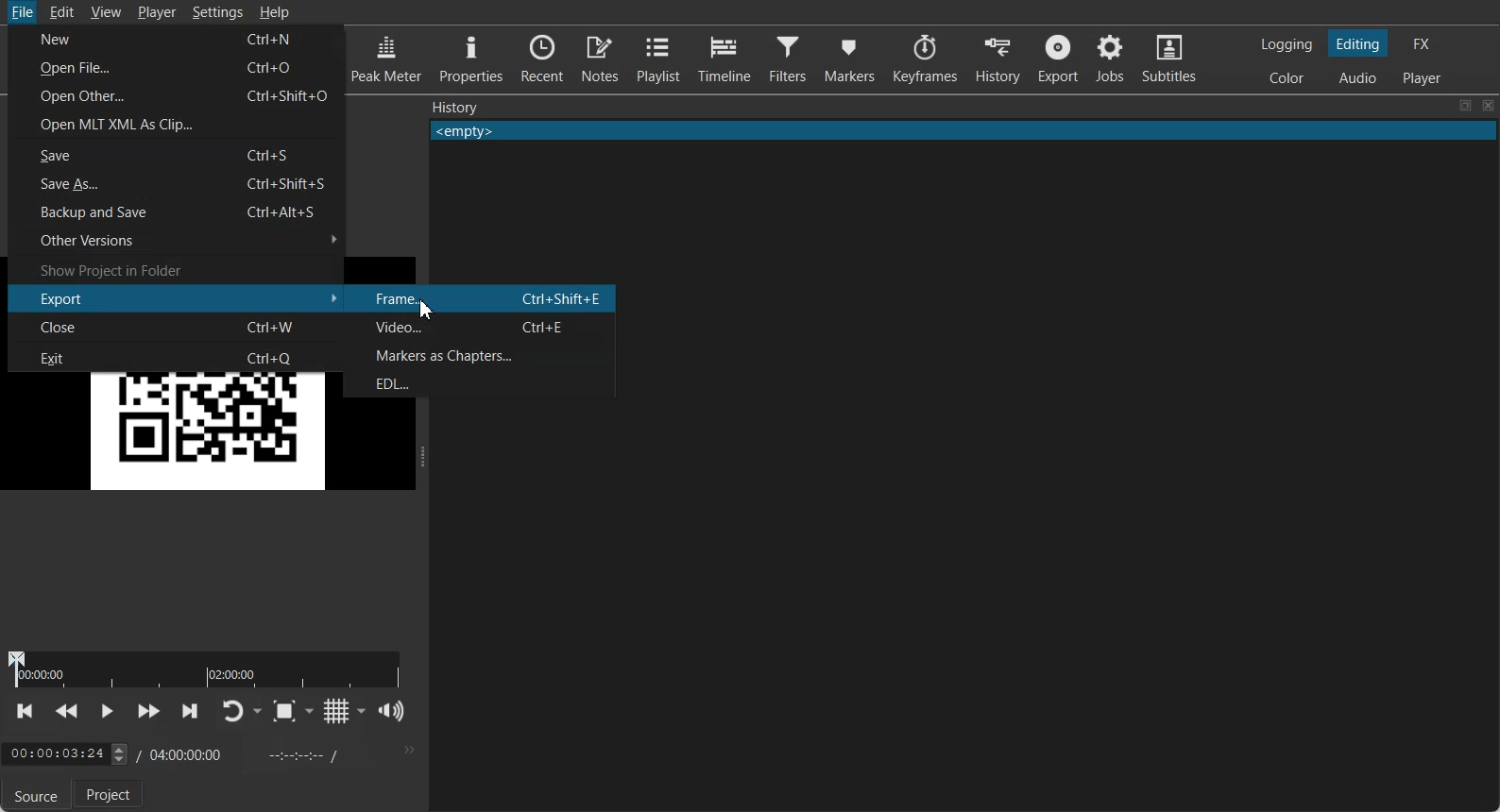 Image resolution: width=1500 pixels, height=812 pixels. What do you see at coordinates (1109, 58) in the screenshot?
I see `Jobs` at bounding box center [1109, 58].